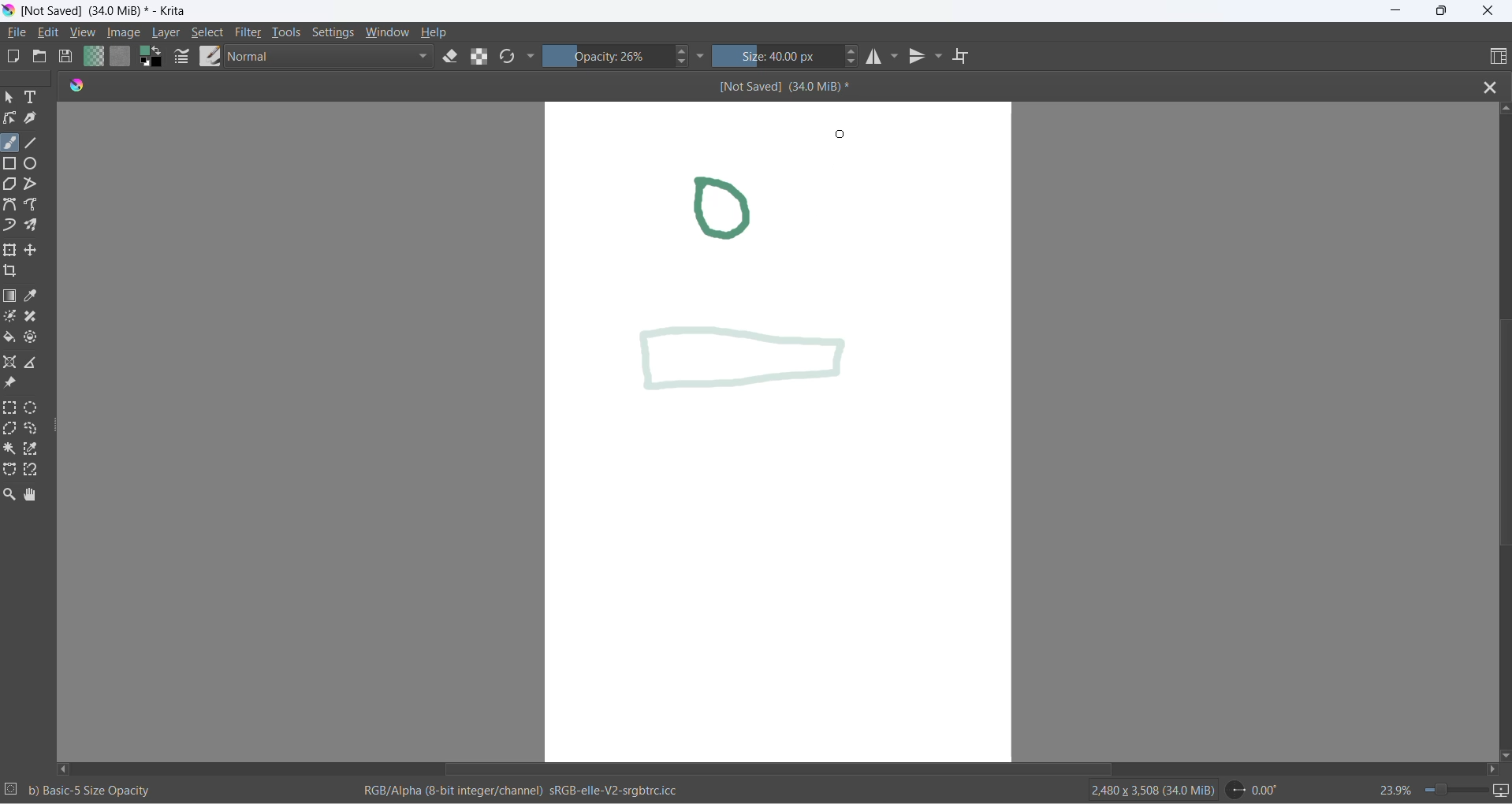 The width and height of the screenshot is (1512, 804). I want to click on resize, so click(58, 424).